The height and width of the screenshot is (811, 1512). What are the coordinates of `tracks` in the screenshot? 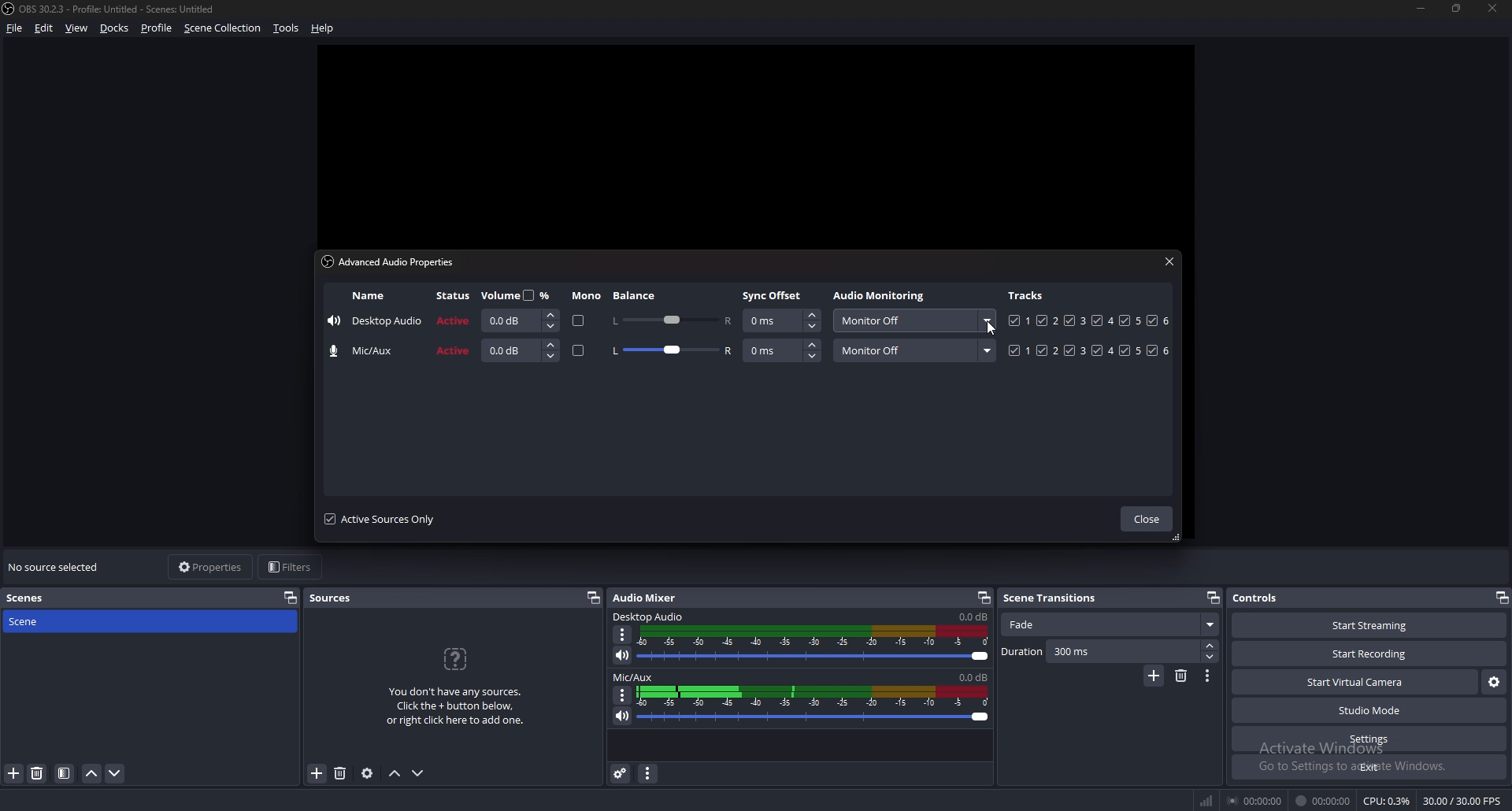 It's located at (1091, 350).